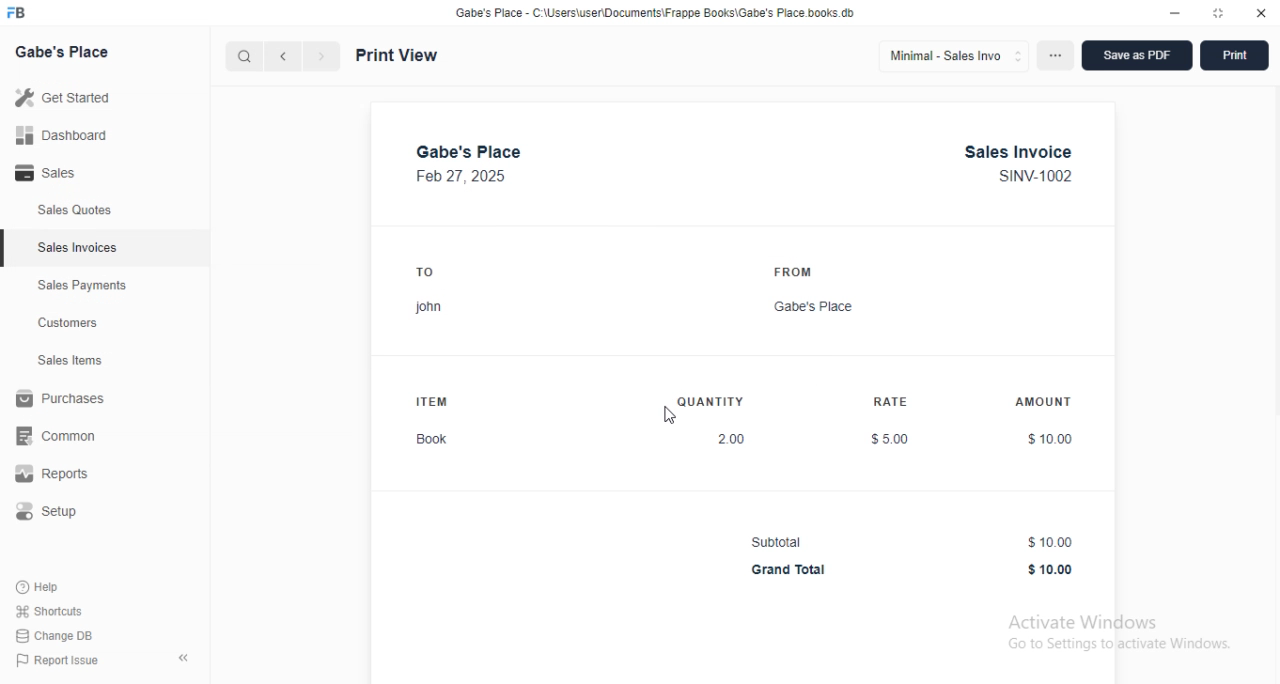 This screenshot has width=1280, height=684. Describe the element at coordinates (1235, 55) in the screenshot. I see `print` at that location.